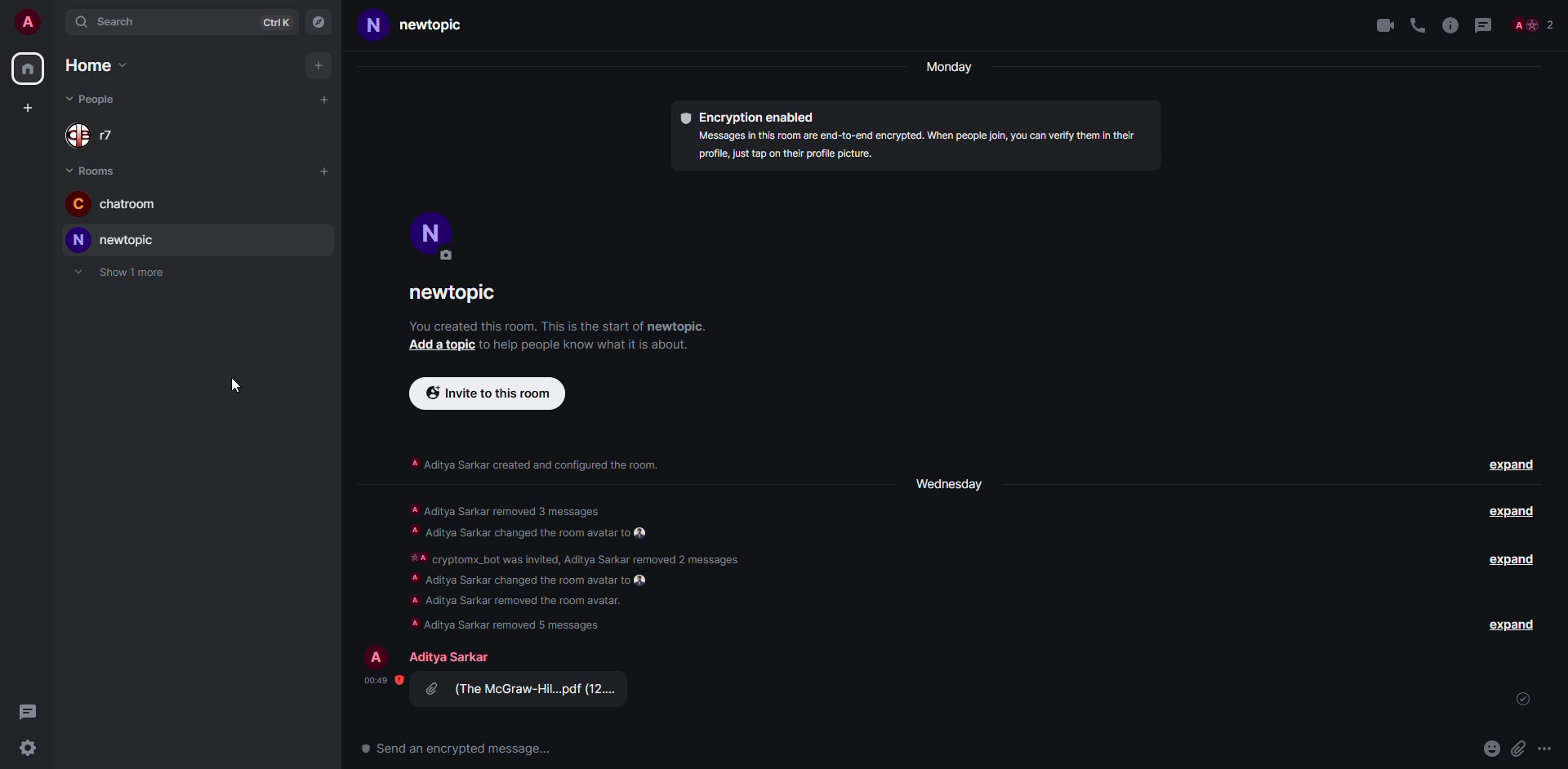 This screenshot has height=769, width=1568. Describe the element at coordinates (1493, 748) in the screenshot. I see `emoji` at that location.